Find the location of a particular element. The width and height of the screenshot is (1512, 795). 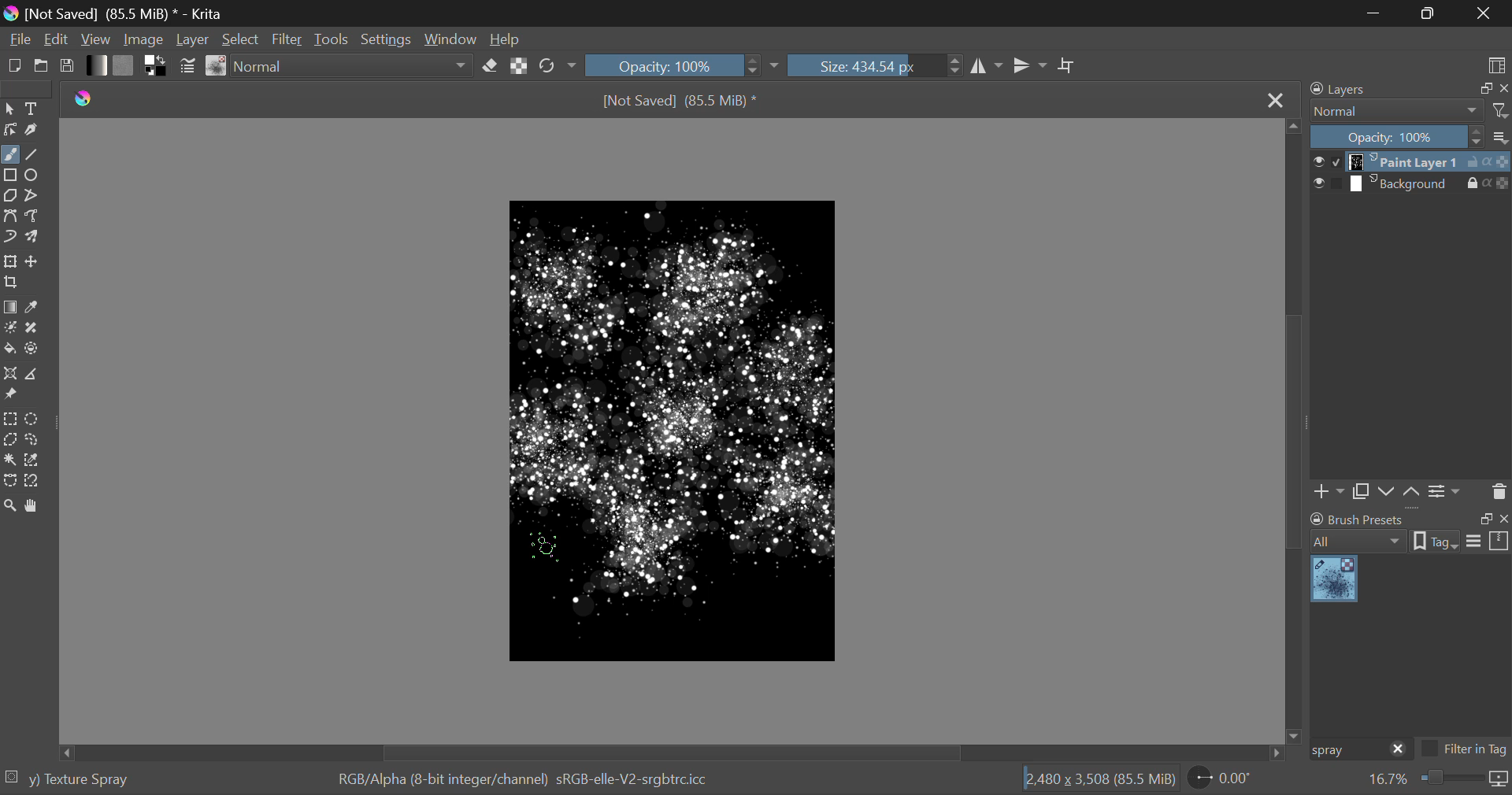

Pan is located at coordinates (35, 507).